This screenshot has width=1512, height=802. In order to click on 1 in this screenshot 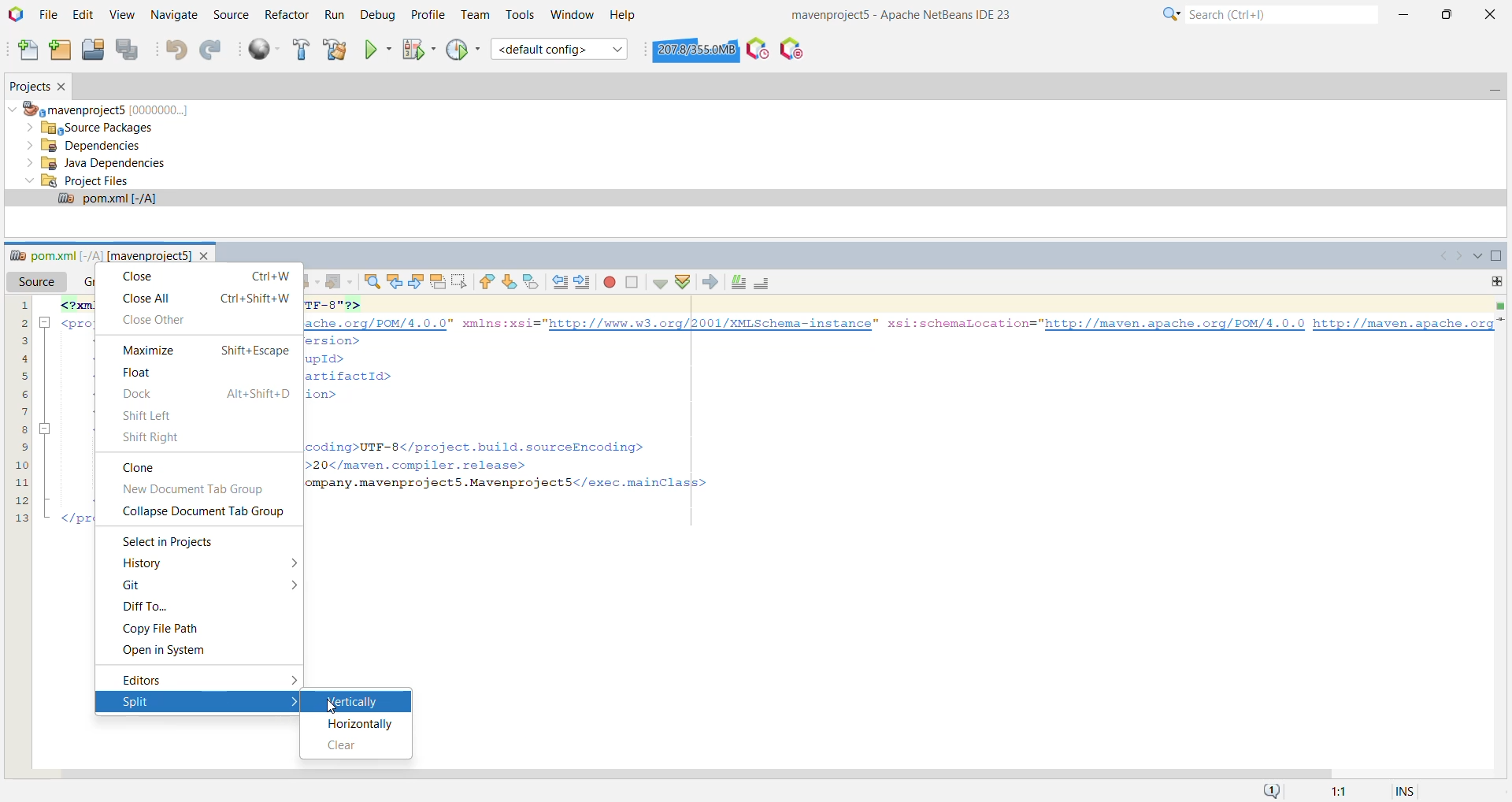, I will do `click(21, 305)`.